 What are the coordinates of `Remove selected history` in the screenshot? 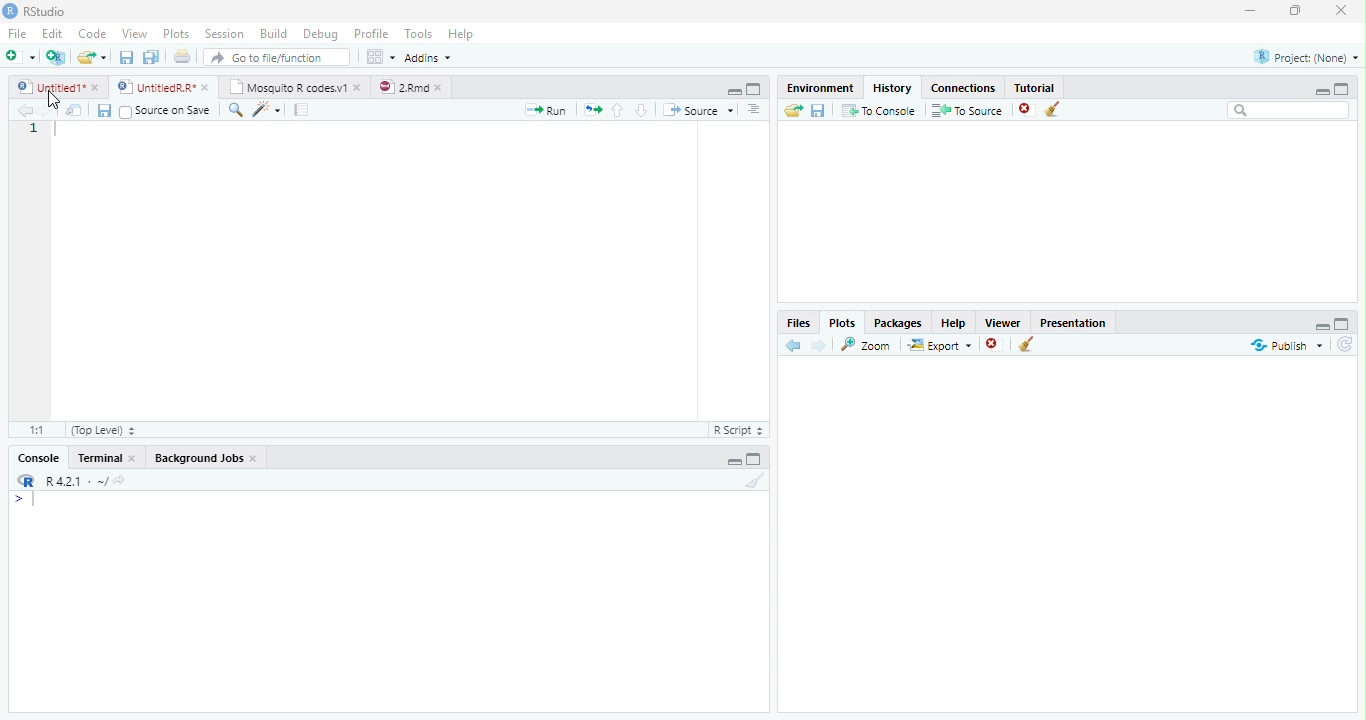 It's located at (1025, 109).